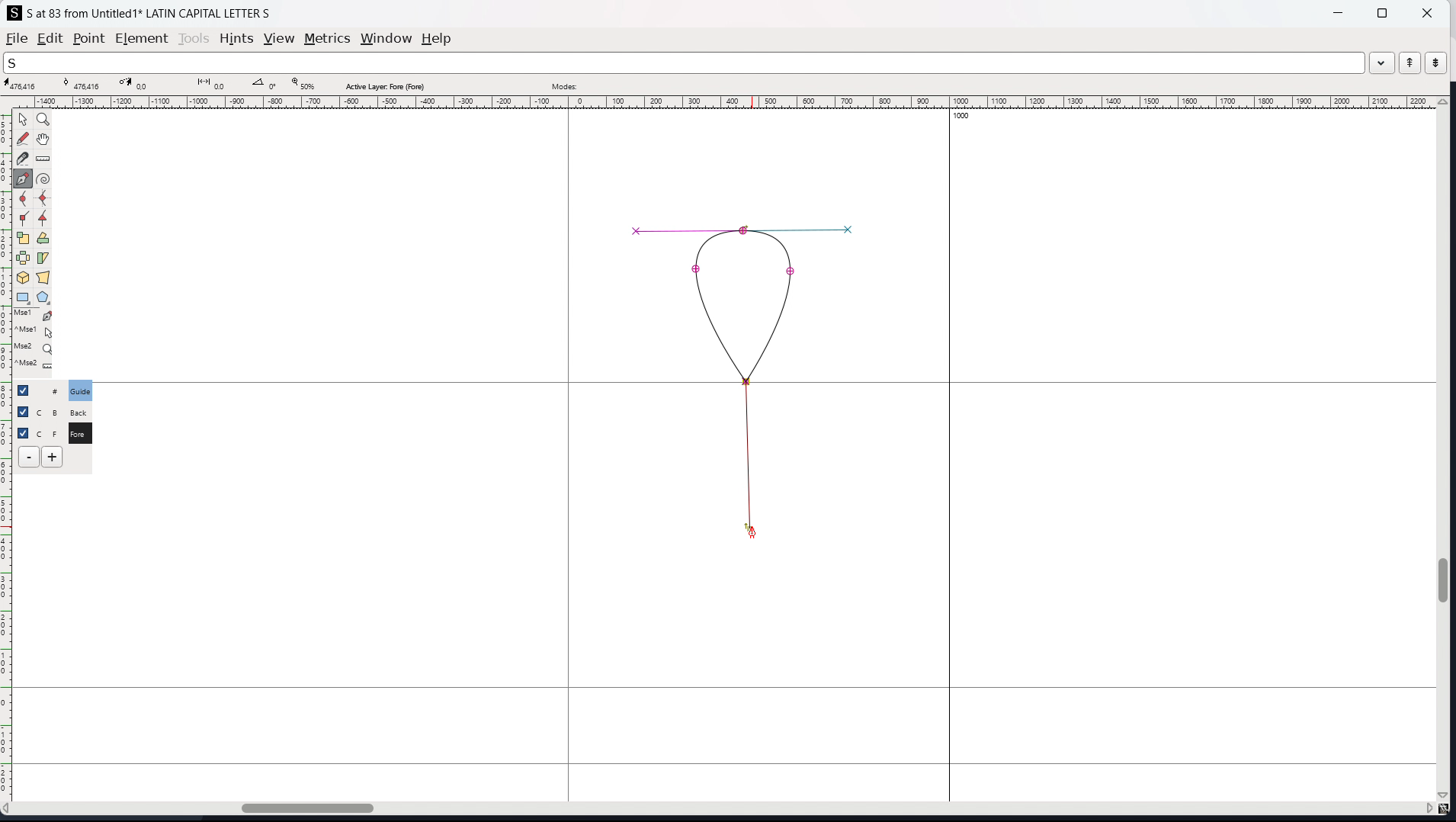 Image resolution: width=1456 pixels, height=822 pixels. What do you see at coordinates (143, 39) in the screenshot?
I see `element` at bounding box center [143, 39].